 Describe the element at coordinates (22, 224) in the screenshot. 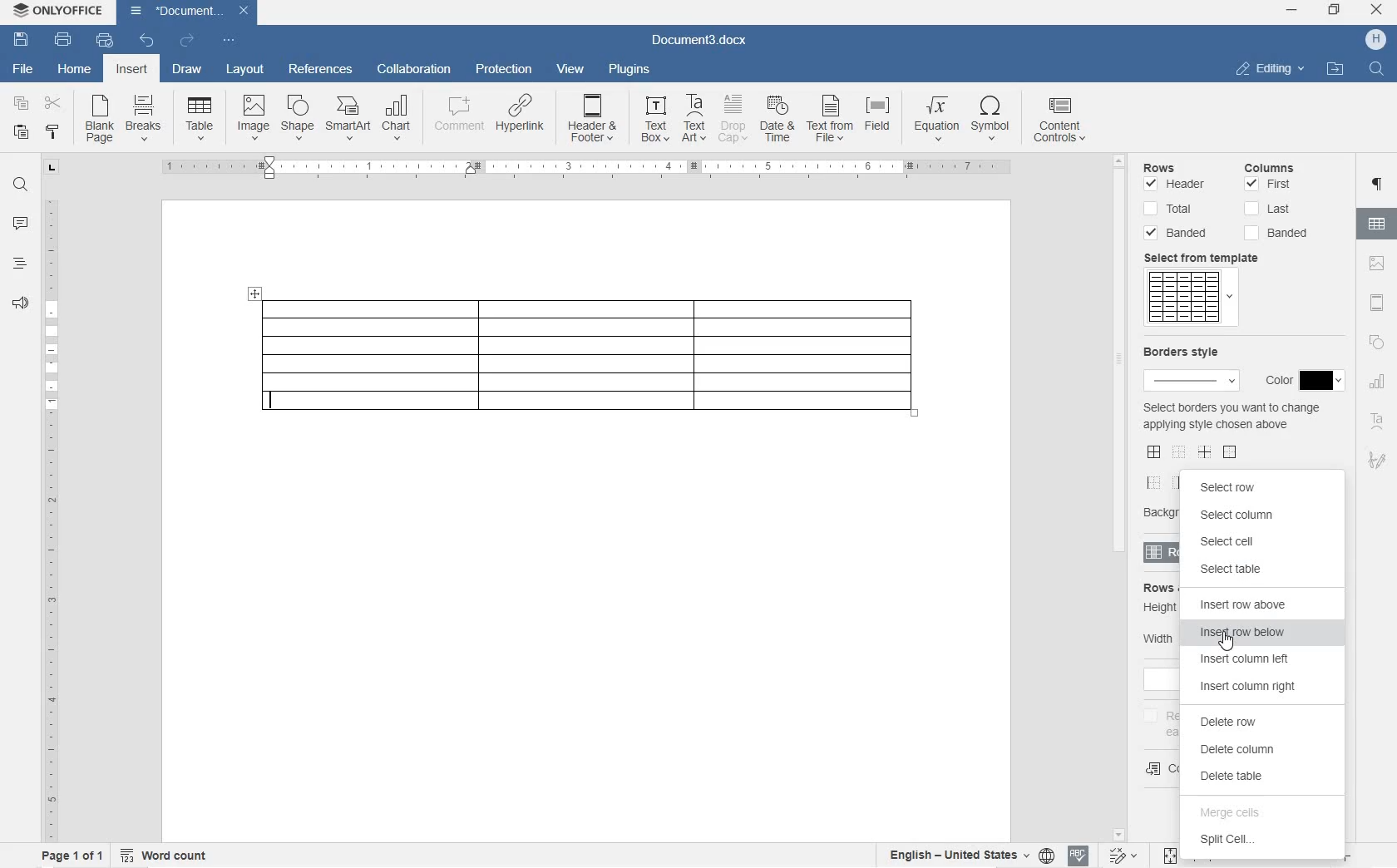

I see `COMMENTS` at that location.